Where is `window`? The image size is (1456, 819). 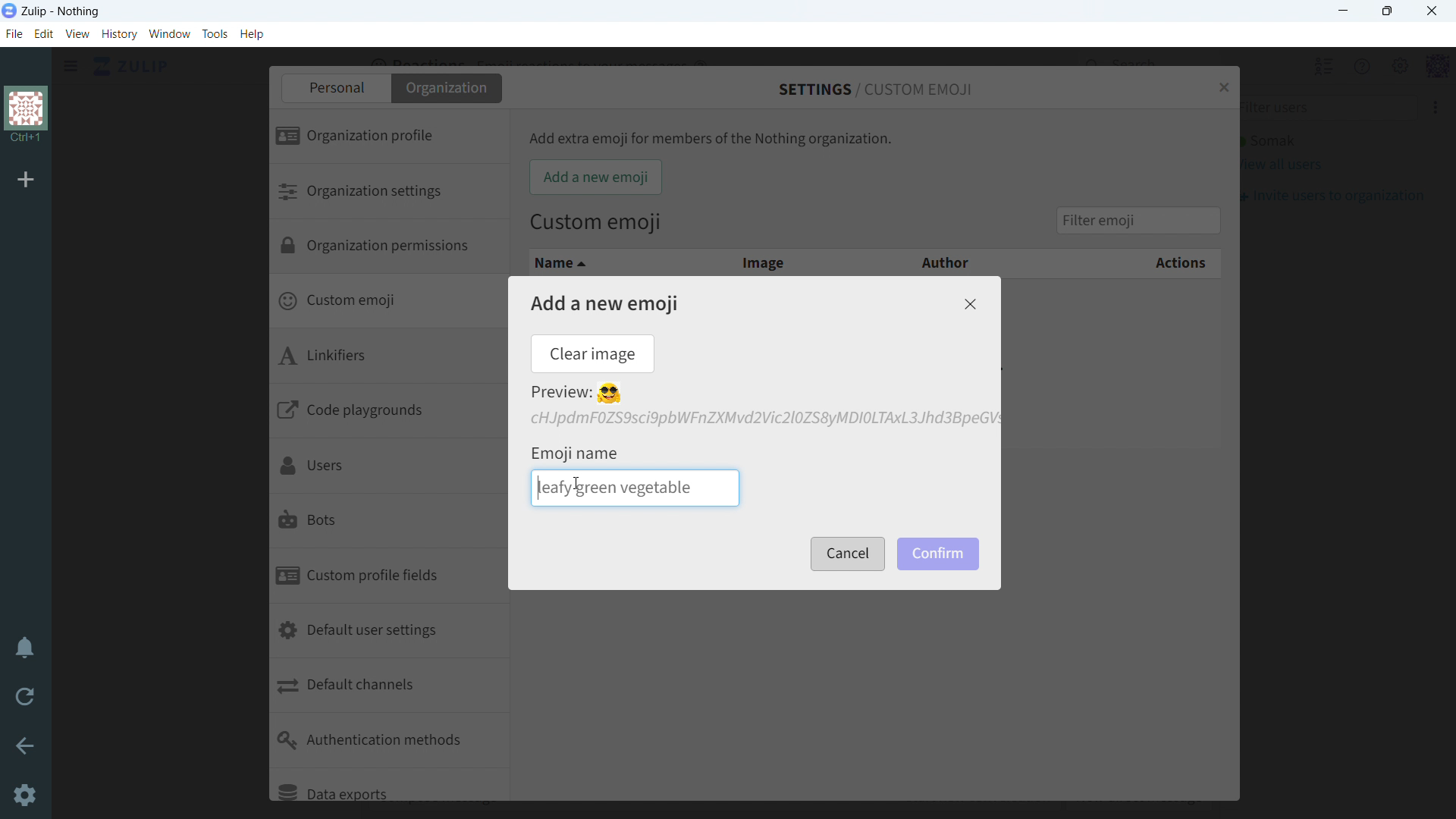 window is located at coordinates (170, 34).